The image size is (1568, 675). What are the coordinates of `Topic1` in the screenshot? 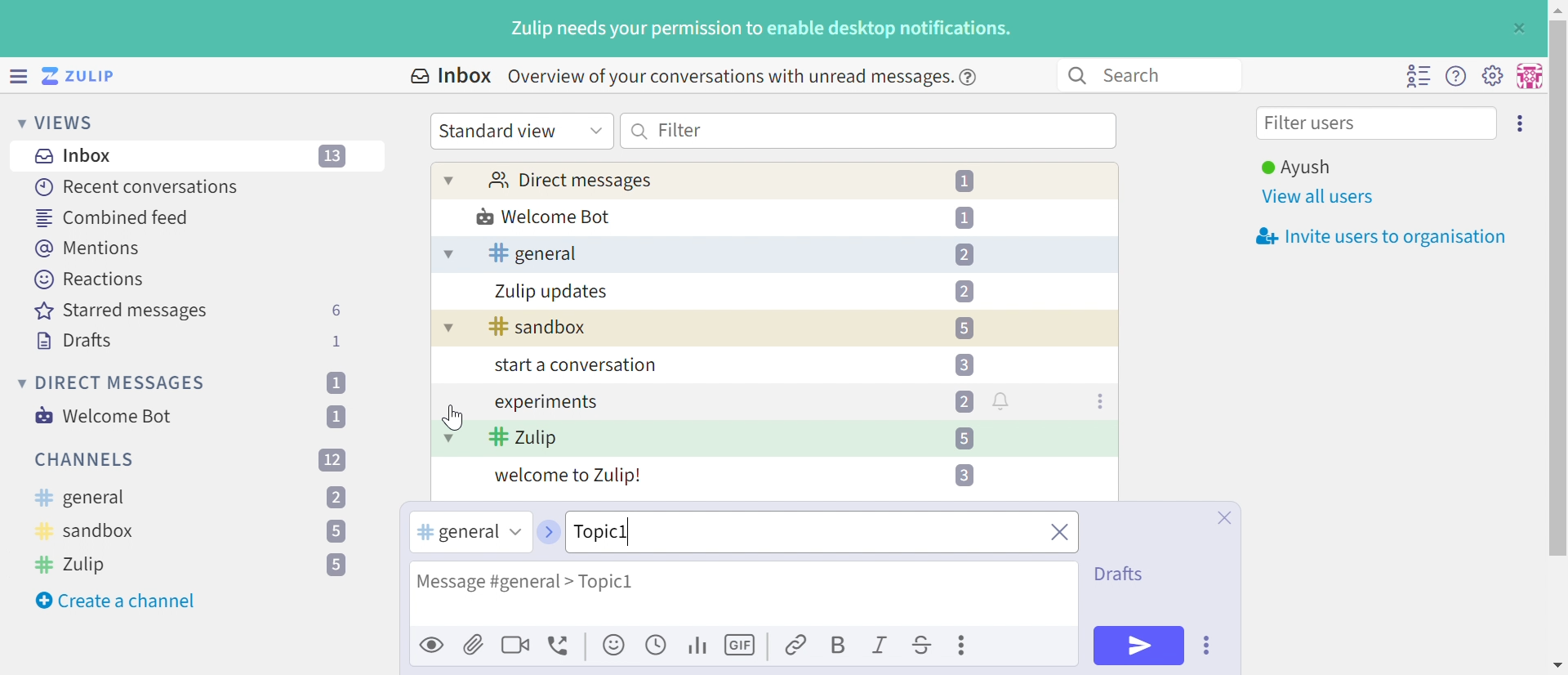 It's located at (648, 530).